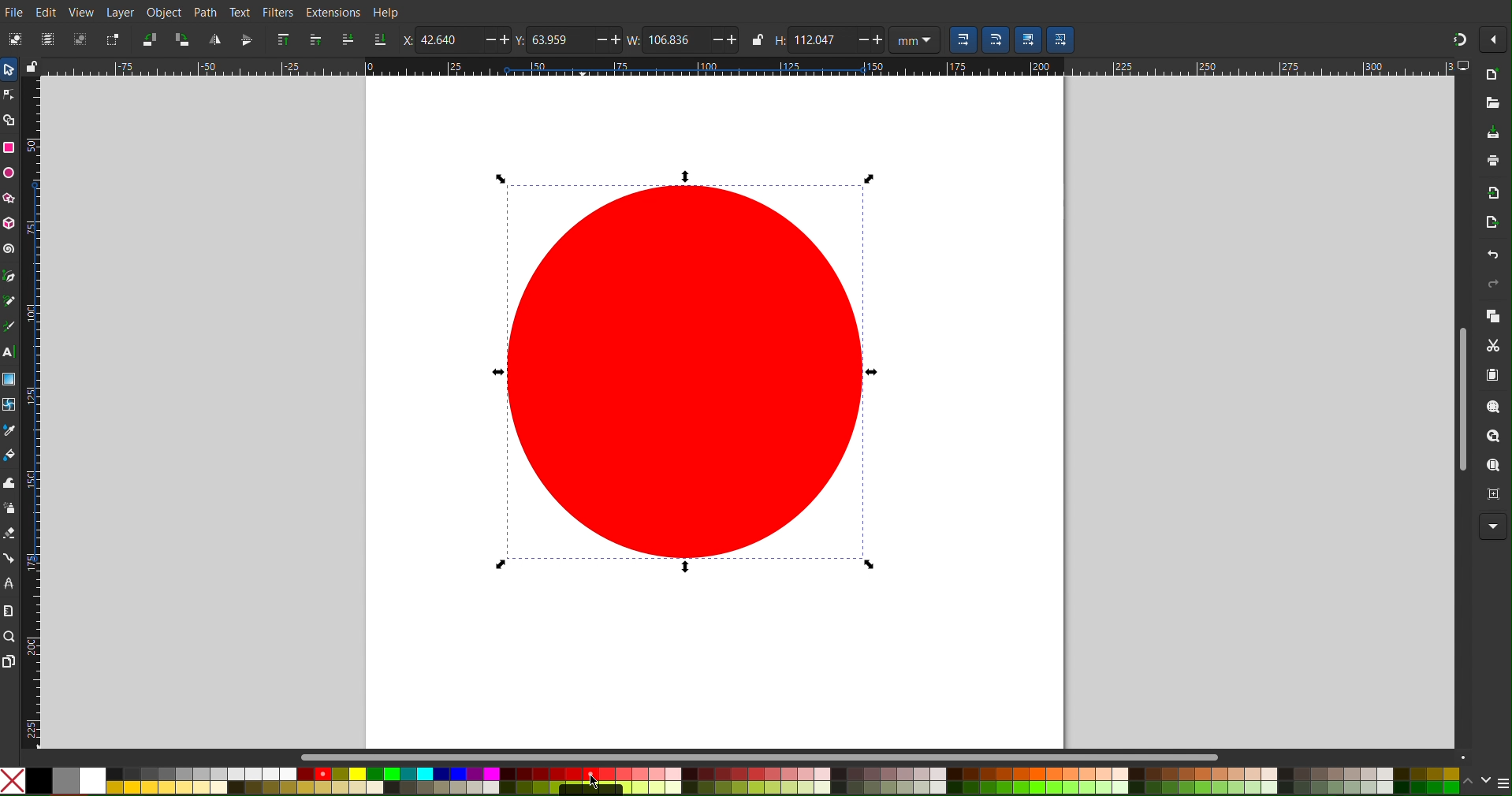 The height and width of the screenshot is (796, 1512). What do you see at coordinates (821, 39) in the screenshot?
I see `112` at bounding box center [821, 39].